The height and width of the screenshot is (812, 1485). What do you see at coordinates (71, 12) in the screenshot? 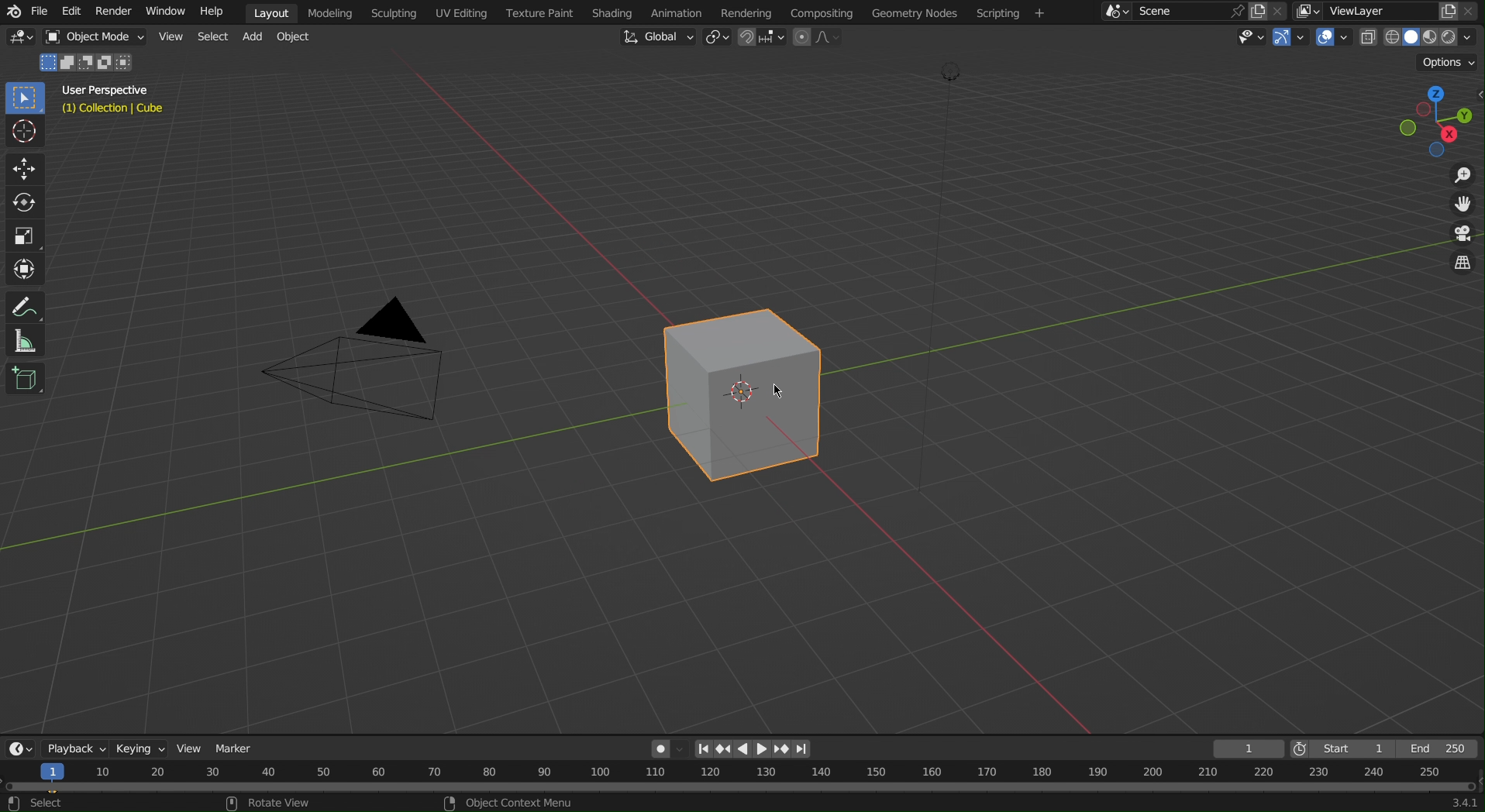
I see `Edit` at bounding box center [71, 12].